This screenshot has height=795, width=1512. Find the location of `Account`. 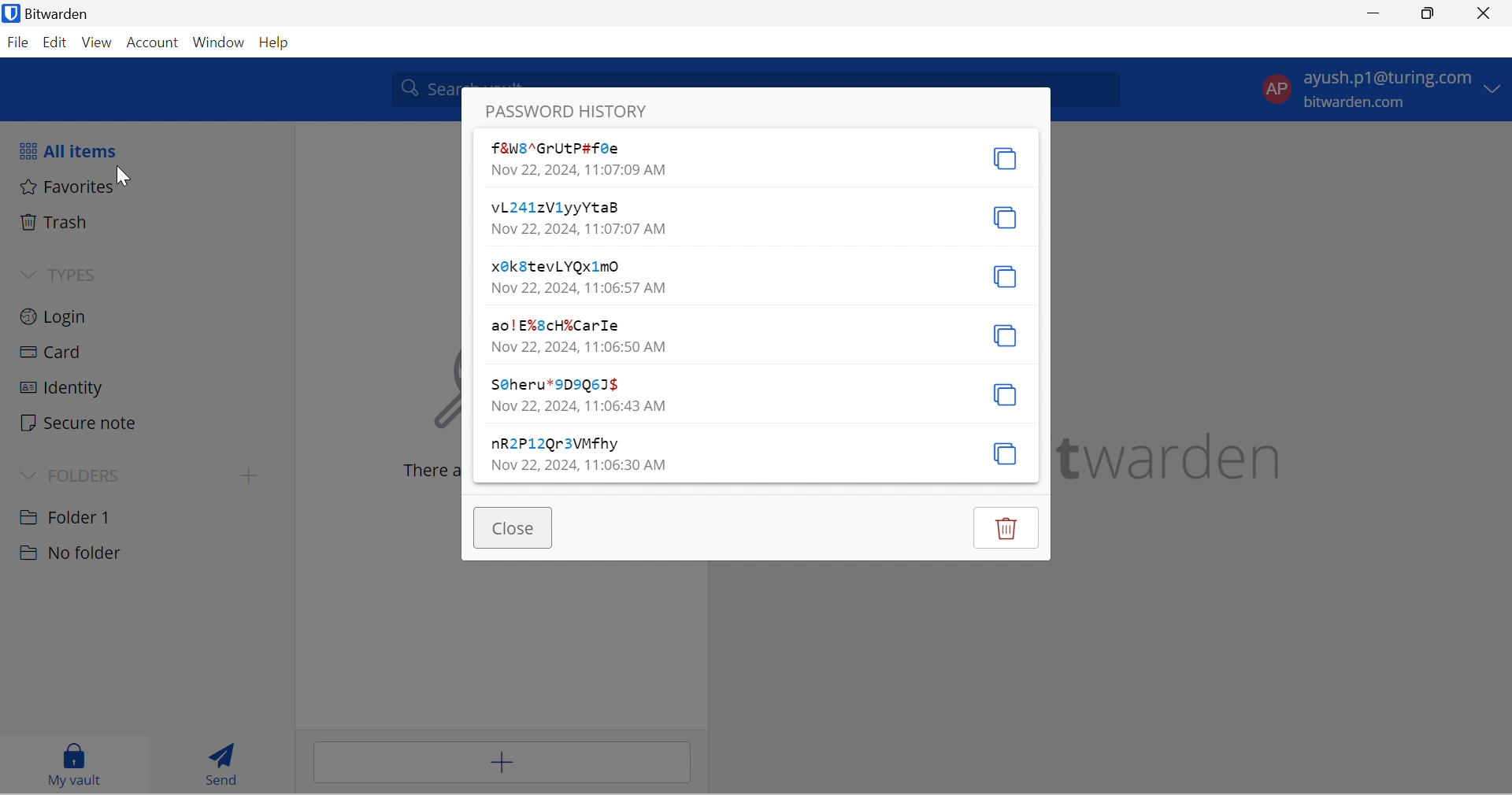

Account is located at coordinates (152, 44).